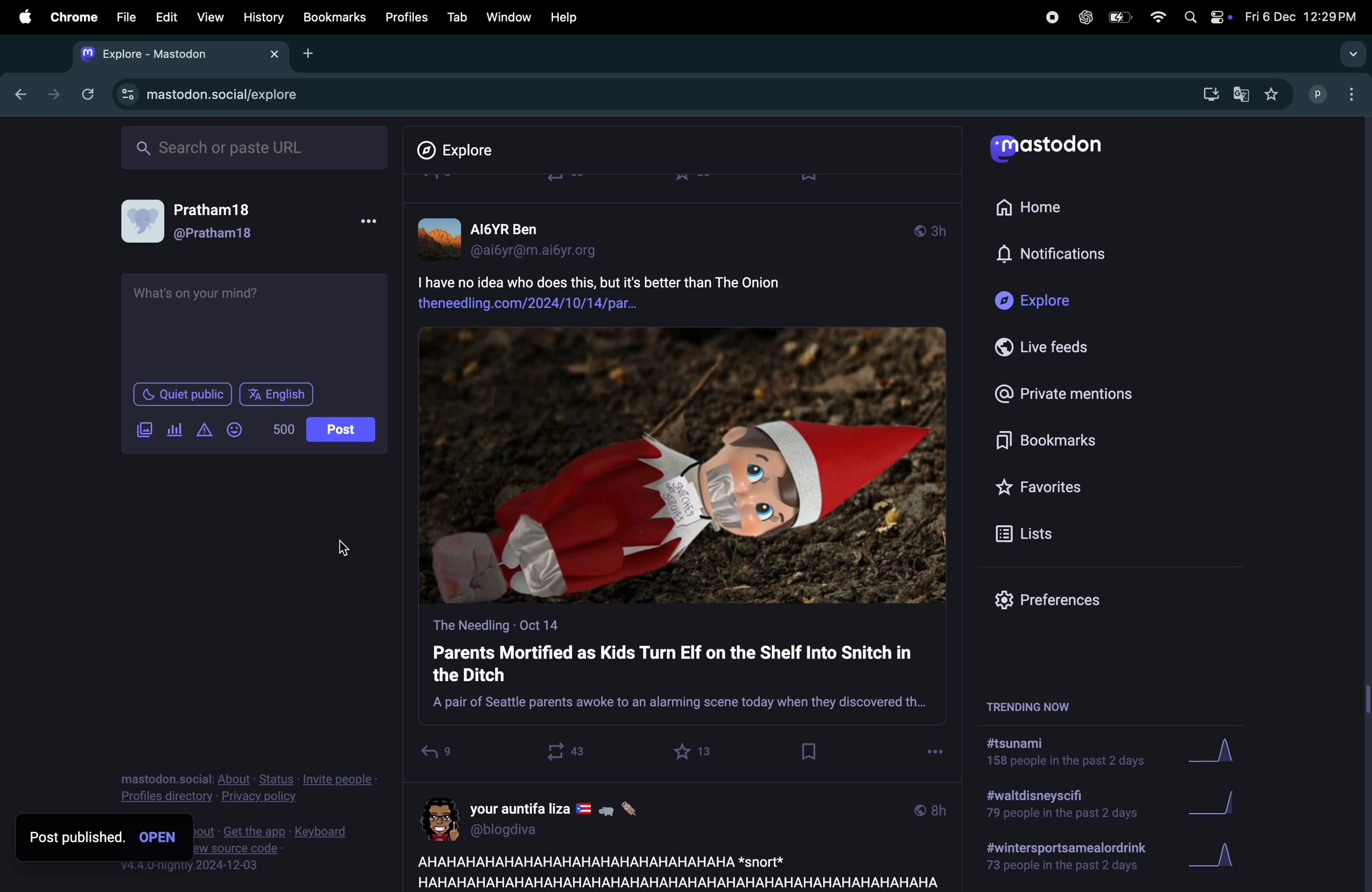 Image resolution: width=1372 pixels, height=892 pixels. Describe the element at coordinates (564, 17) in the screenshot. I see `help` at that location.